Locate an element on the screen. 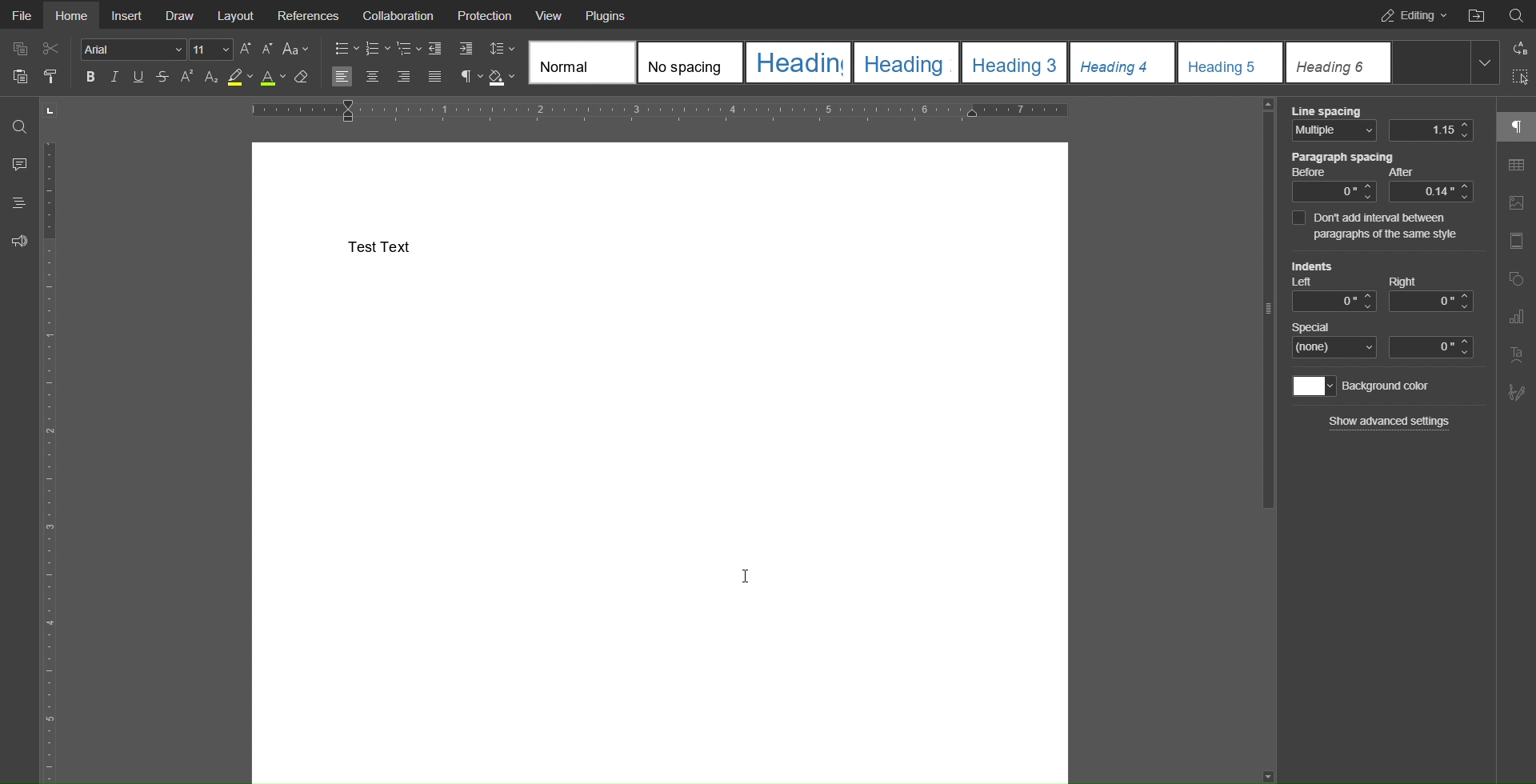  Right Align is located at coordinates (405, 78).